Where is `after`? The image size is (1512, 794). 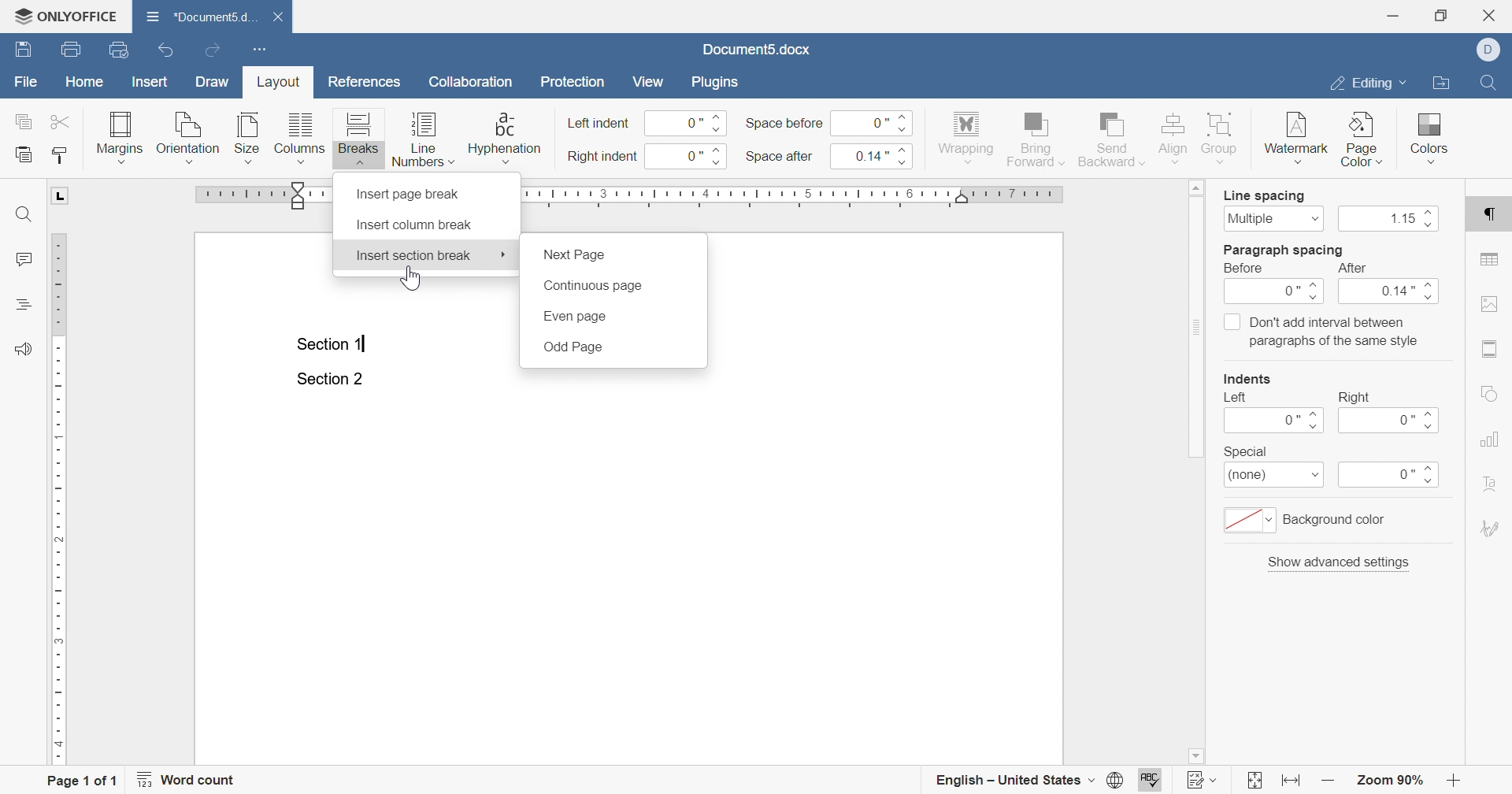
after is located at coordinates (1351, 269).